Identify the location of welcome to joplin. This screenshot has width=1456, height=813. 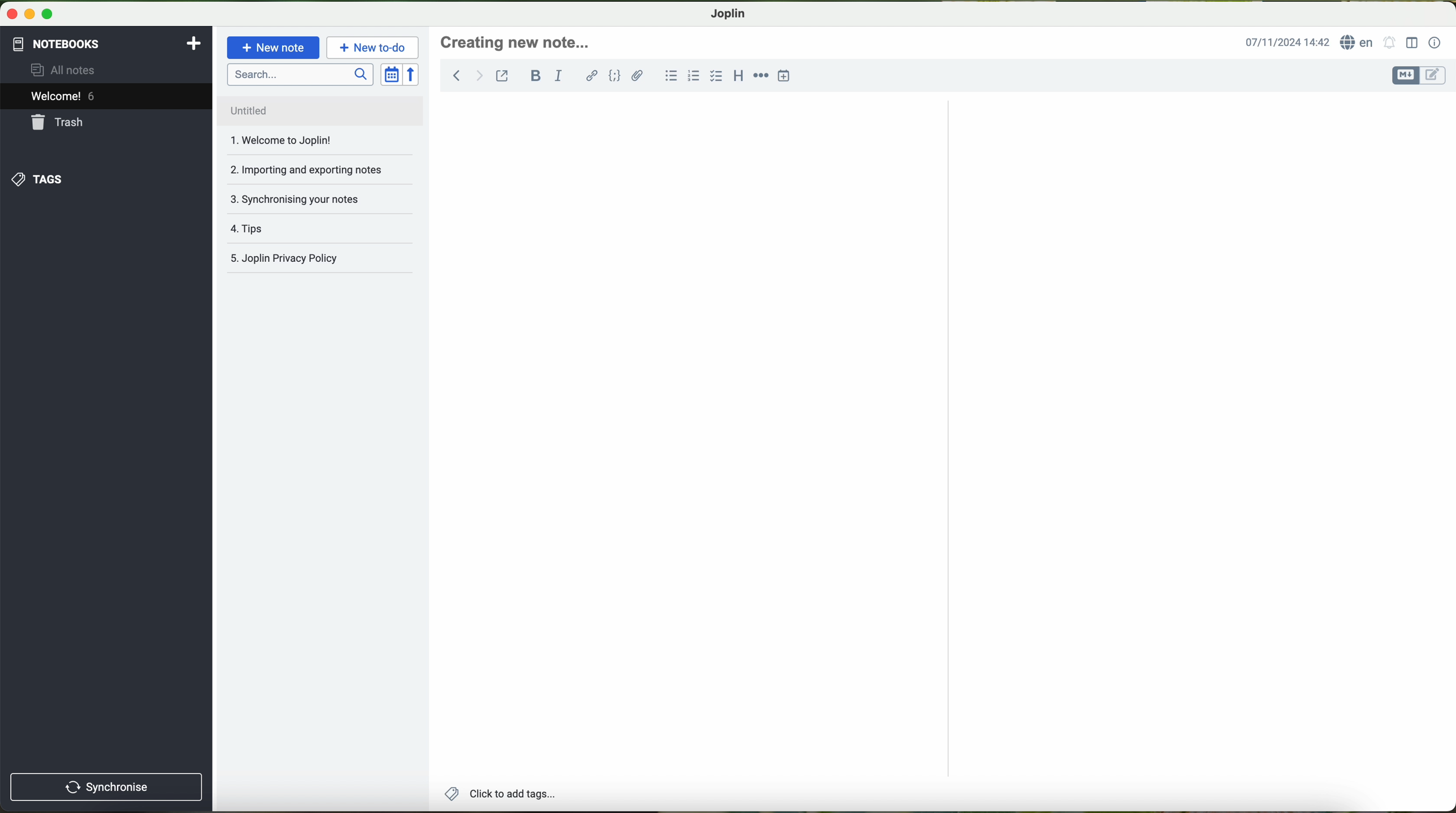
(307, 141).